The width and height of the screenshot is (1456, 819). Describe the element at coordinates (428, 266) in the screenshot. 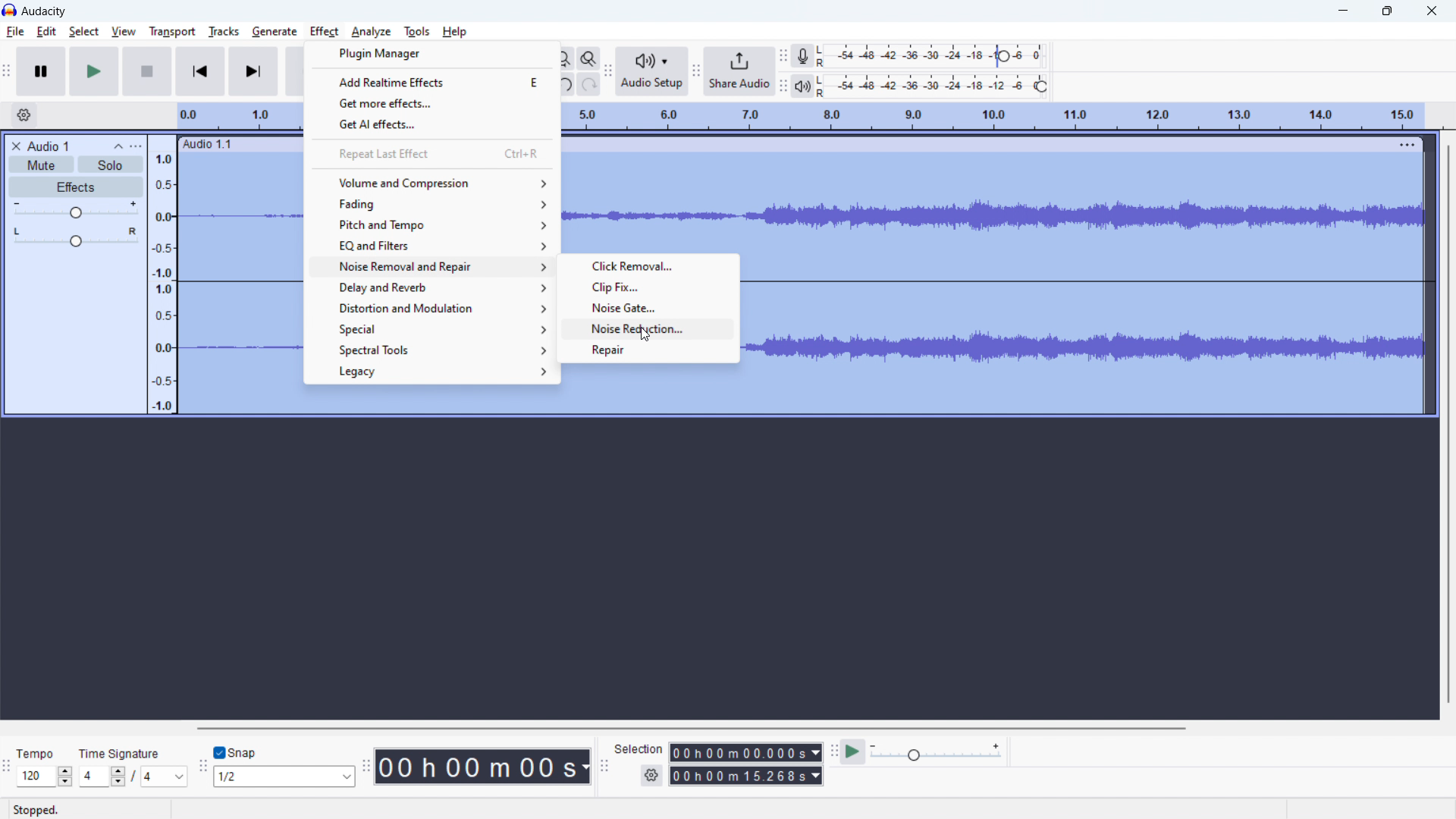

I see `noise removal and repair` at that location.